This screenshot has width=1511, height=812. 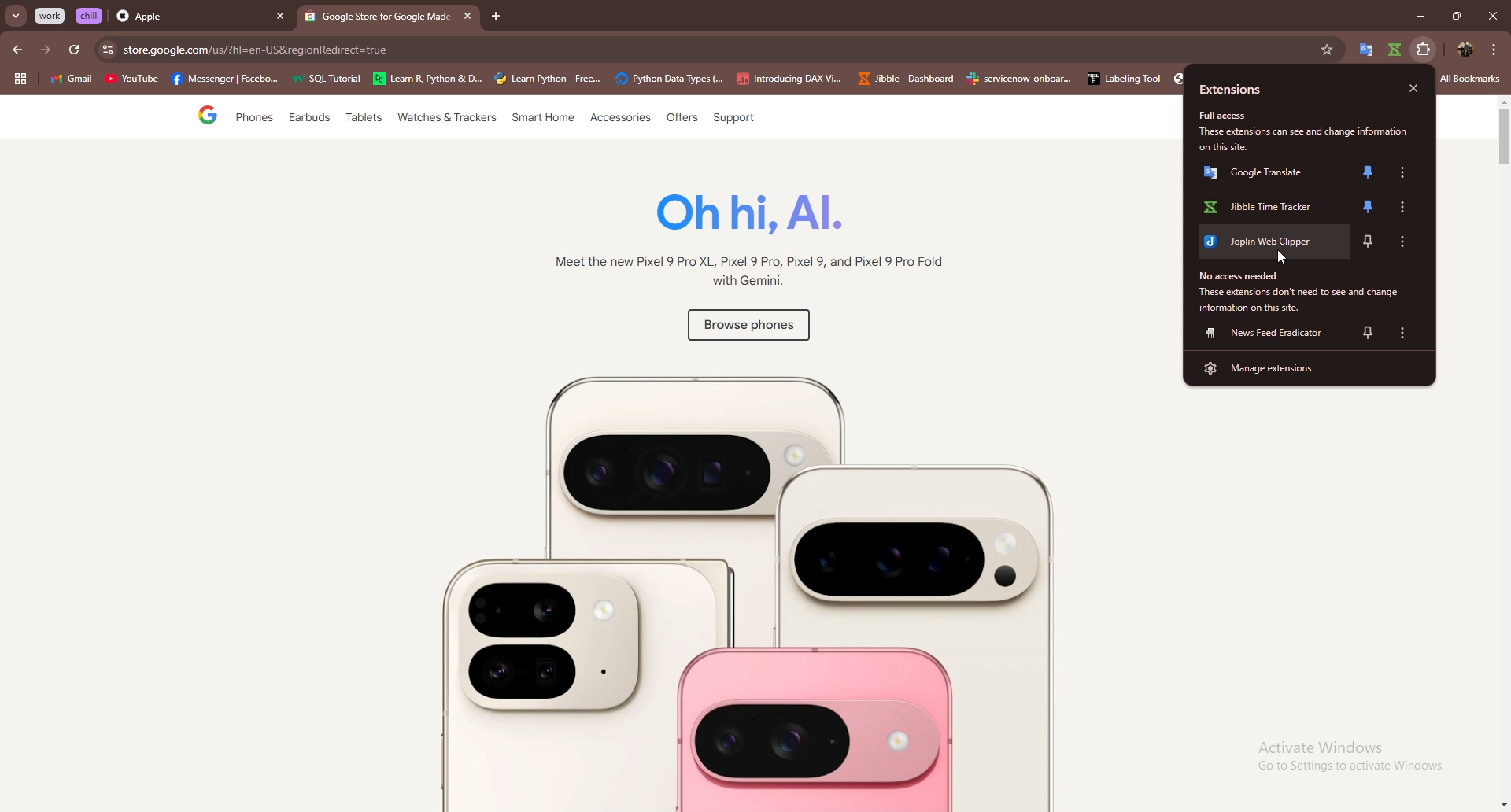 I want to click on Earbuds, so click(x=311, y=121).